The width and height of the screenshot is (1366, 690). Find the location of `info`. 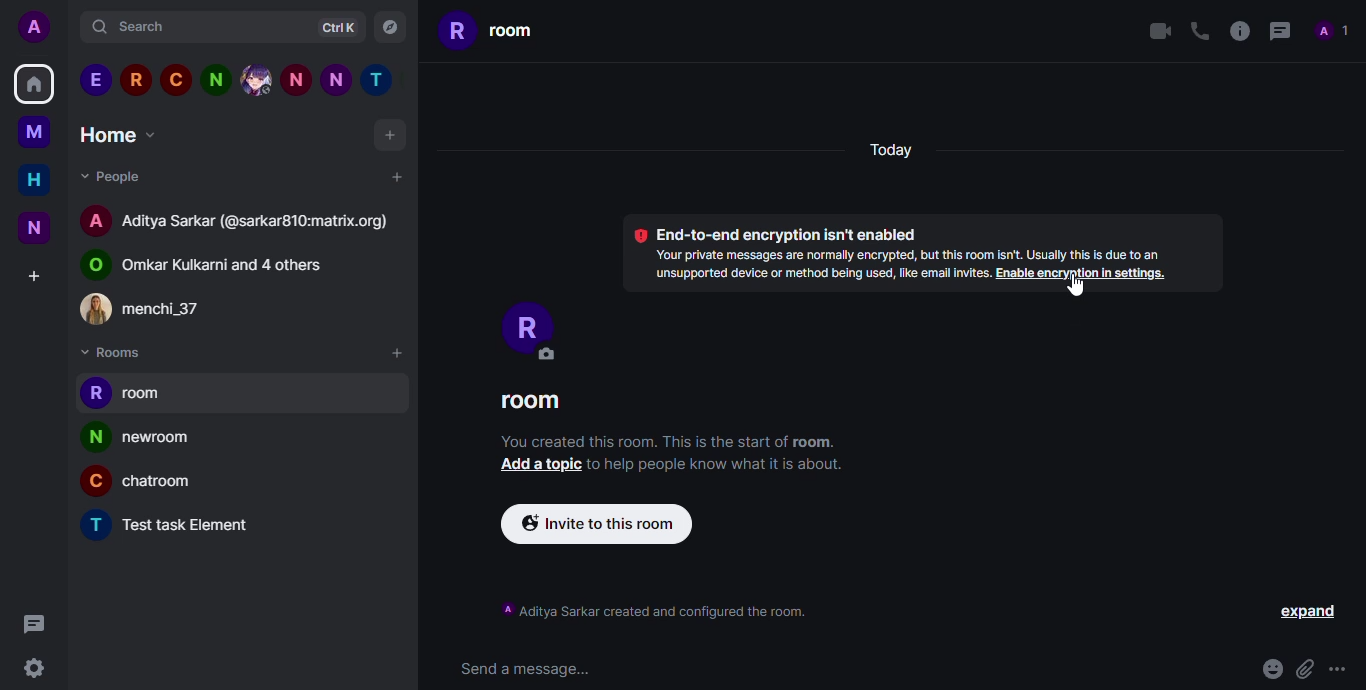

info is located at coordinates (816, 266).